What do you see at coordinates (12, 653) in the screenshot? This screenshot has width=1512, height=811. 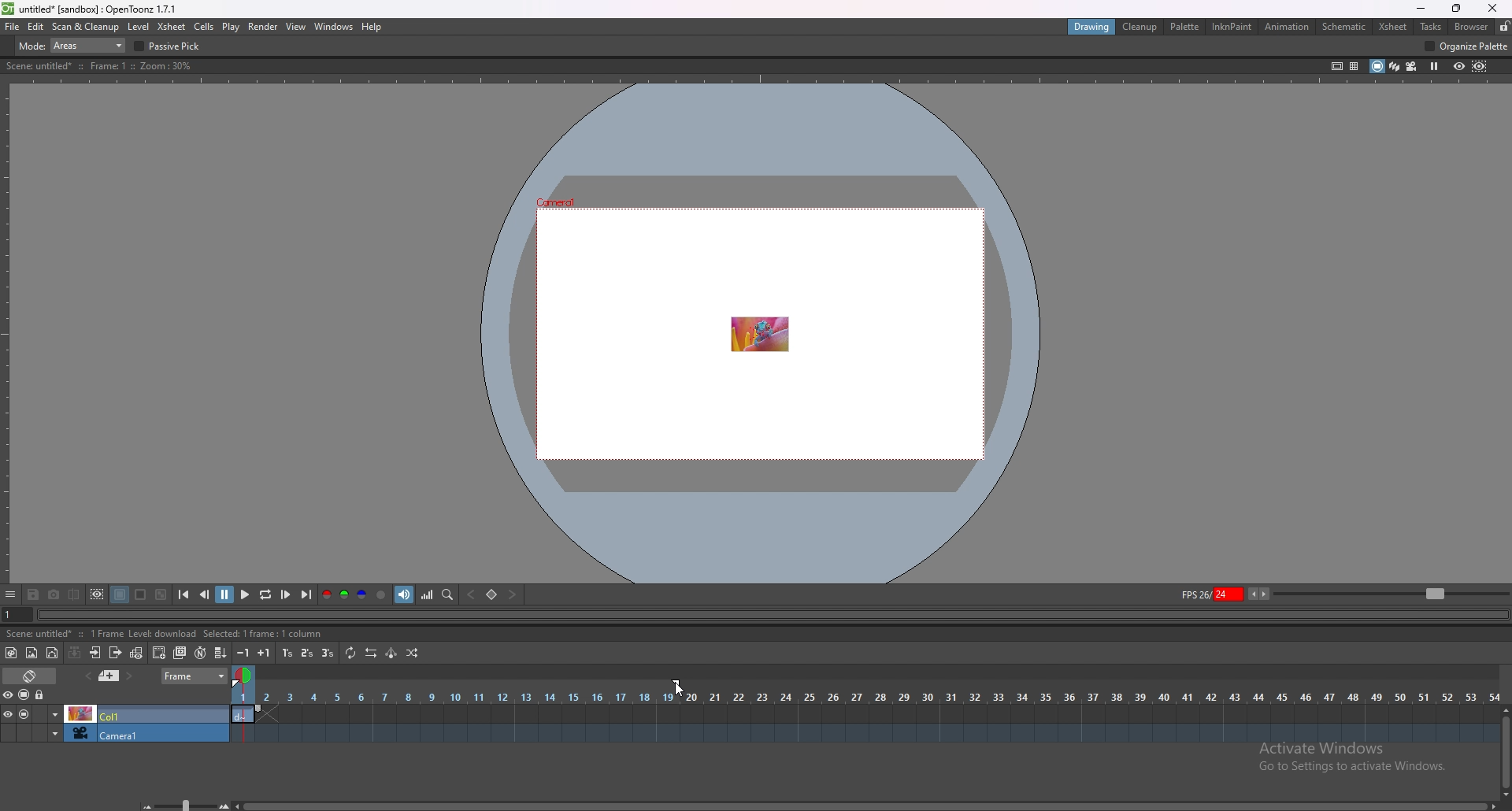 I see `new toonz raster level` at bounding box center [12, 653].